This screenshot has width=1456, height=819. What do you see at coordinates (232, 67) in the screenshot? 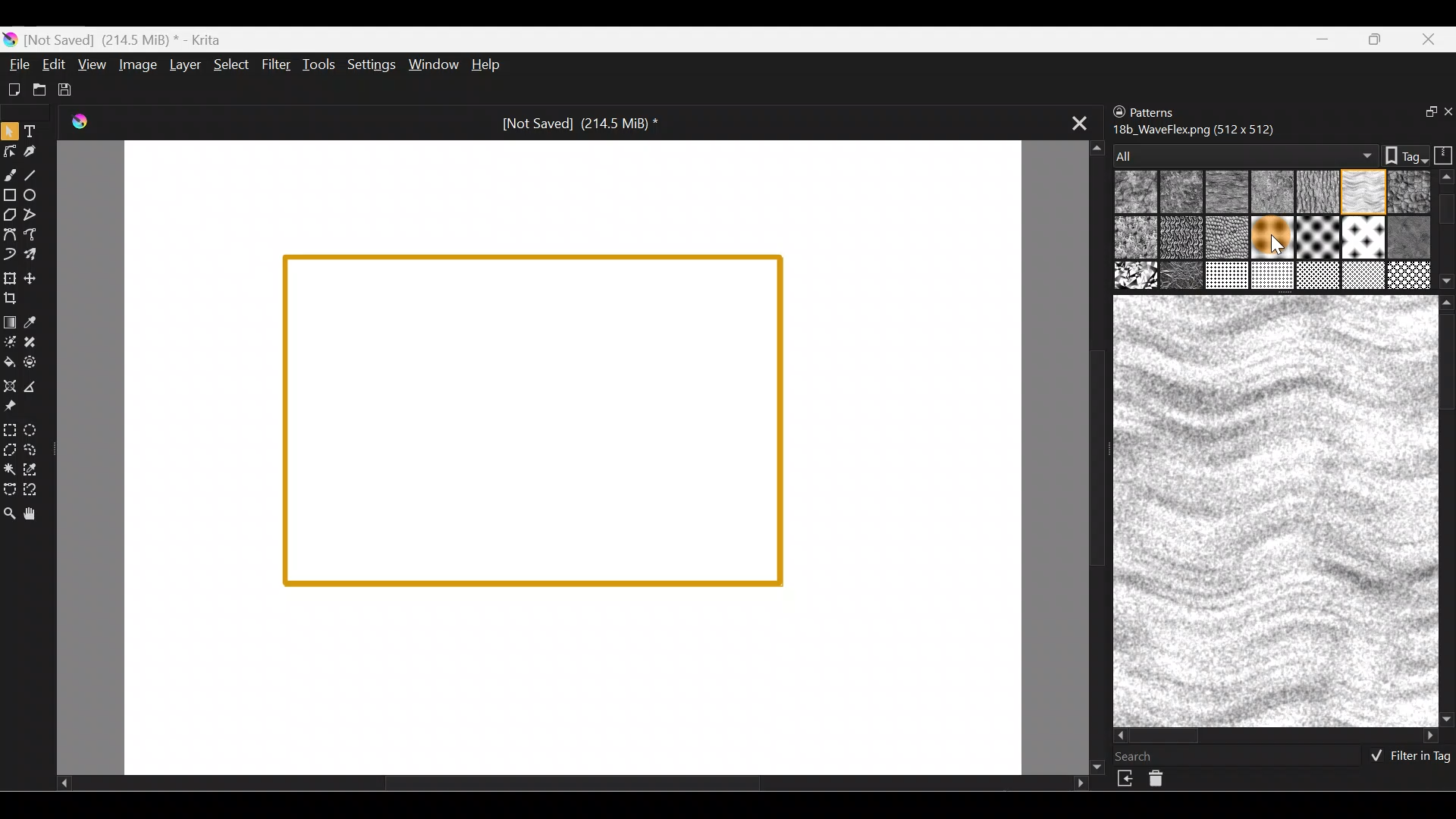
I see `Select` at bounding box center [232, 67].